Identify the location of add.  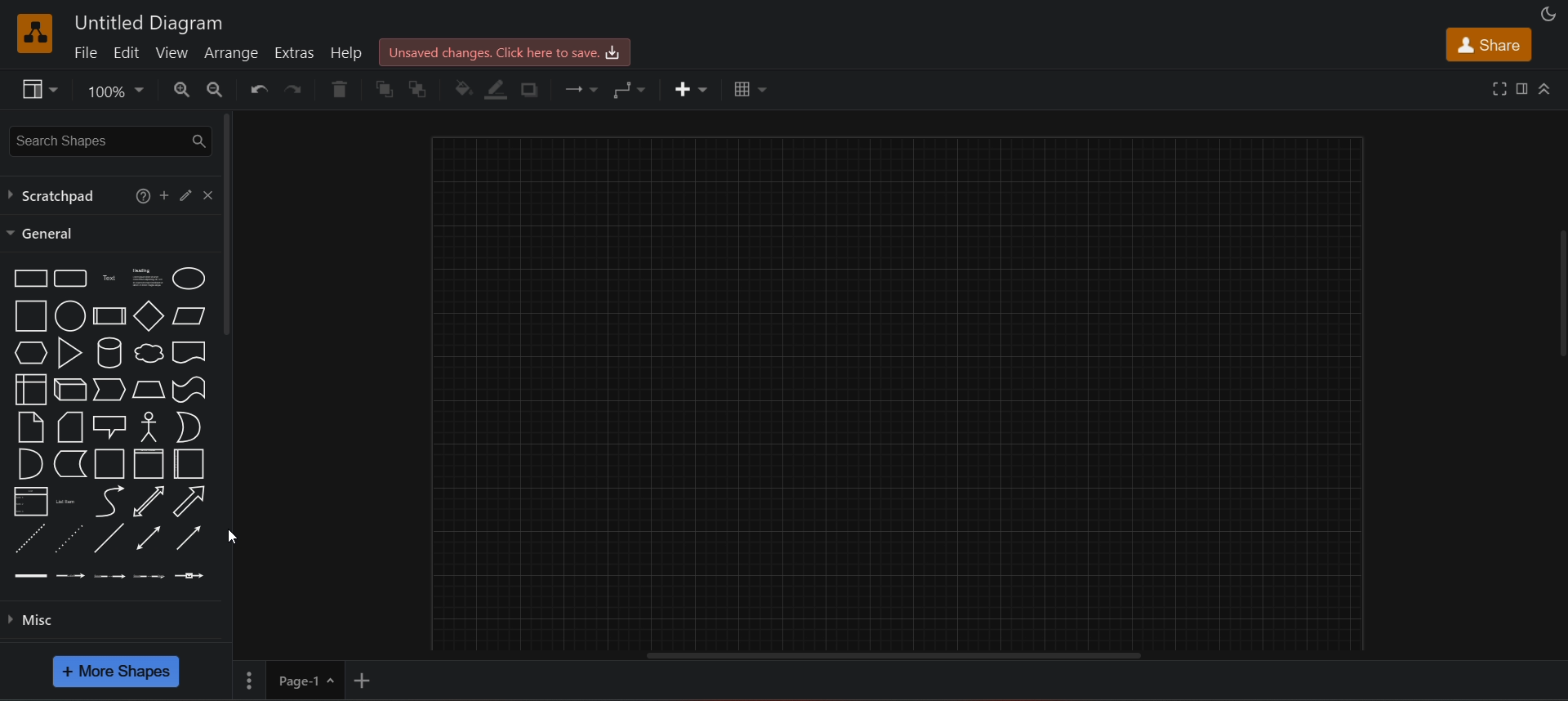
(165, 194).